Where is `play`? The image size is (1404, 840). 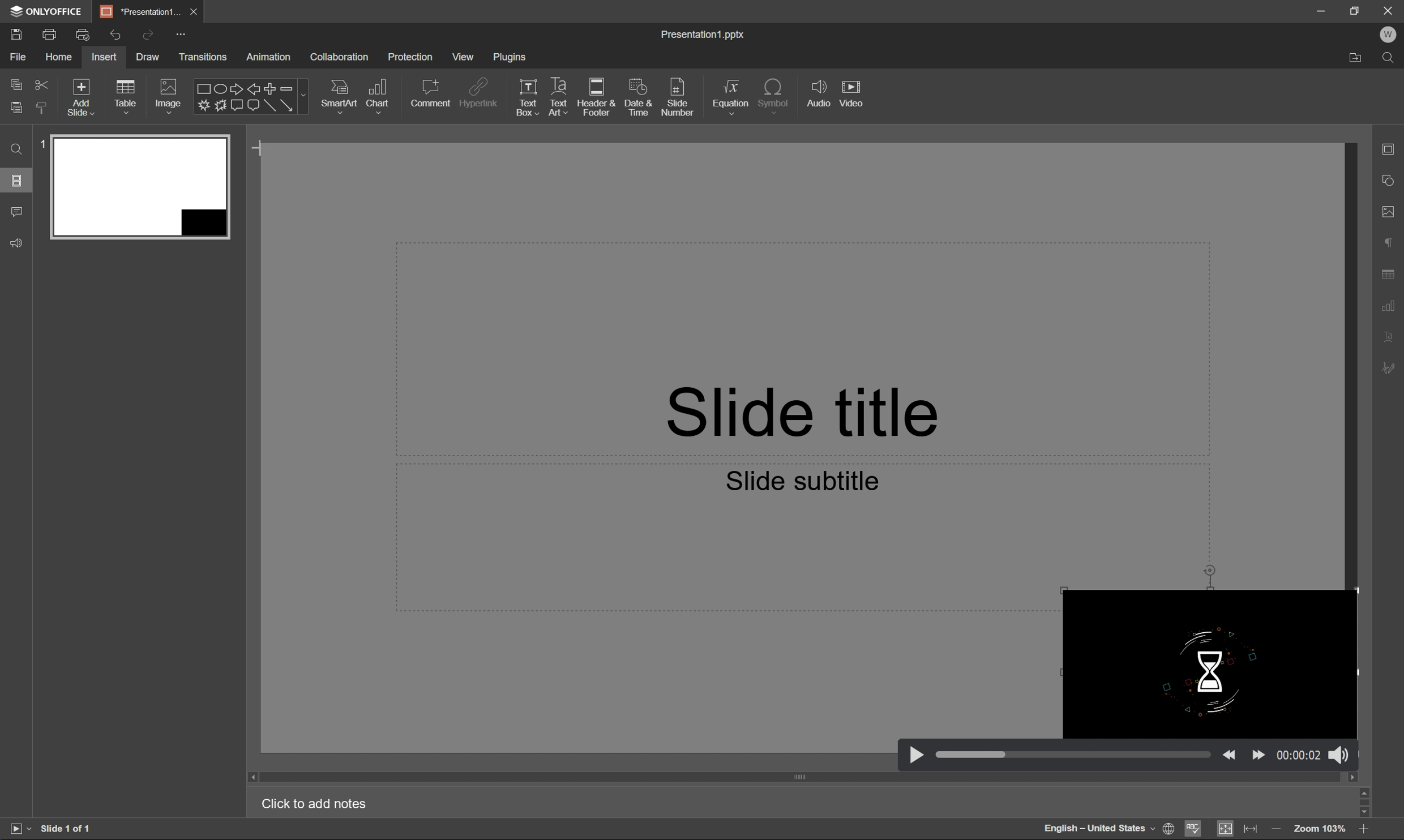
play is located at coordinates (916, 753).